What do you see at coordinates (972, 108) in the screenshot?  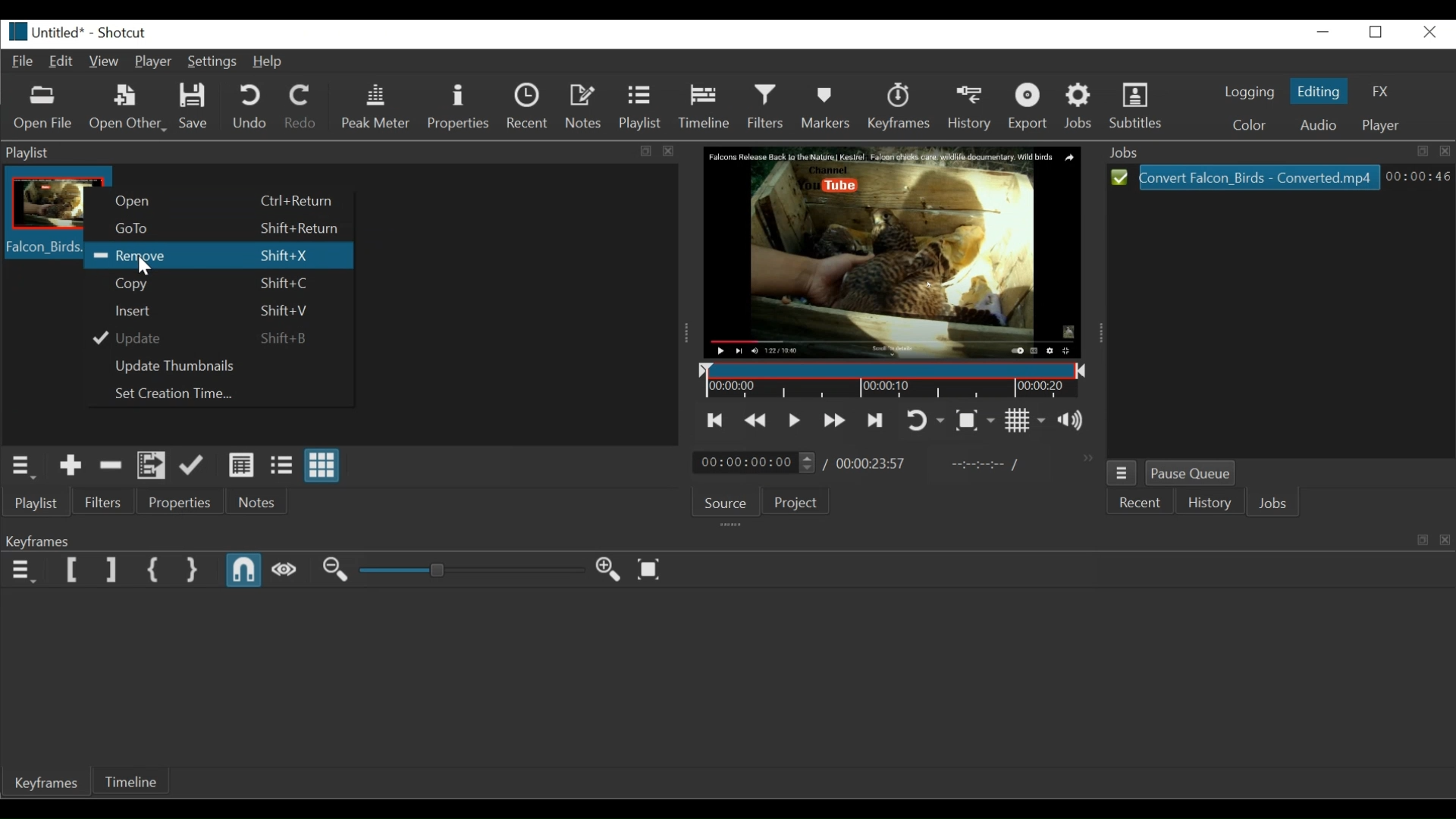 I see `History` at bounding box center [972, 108].